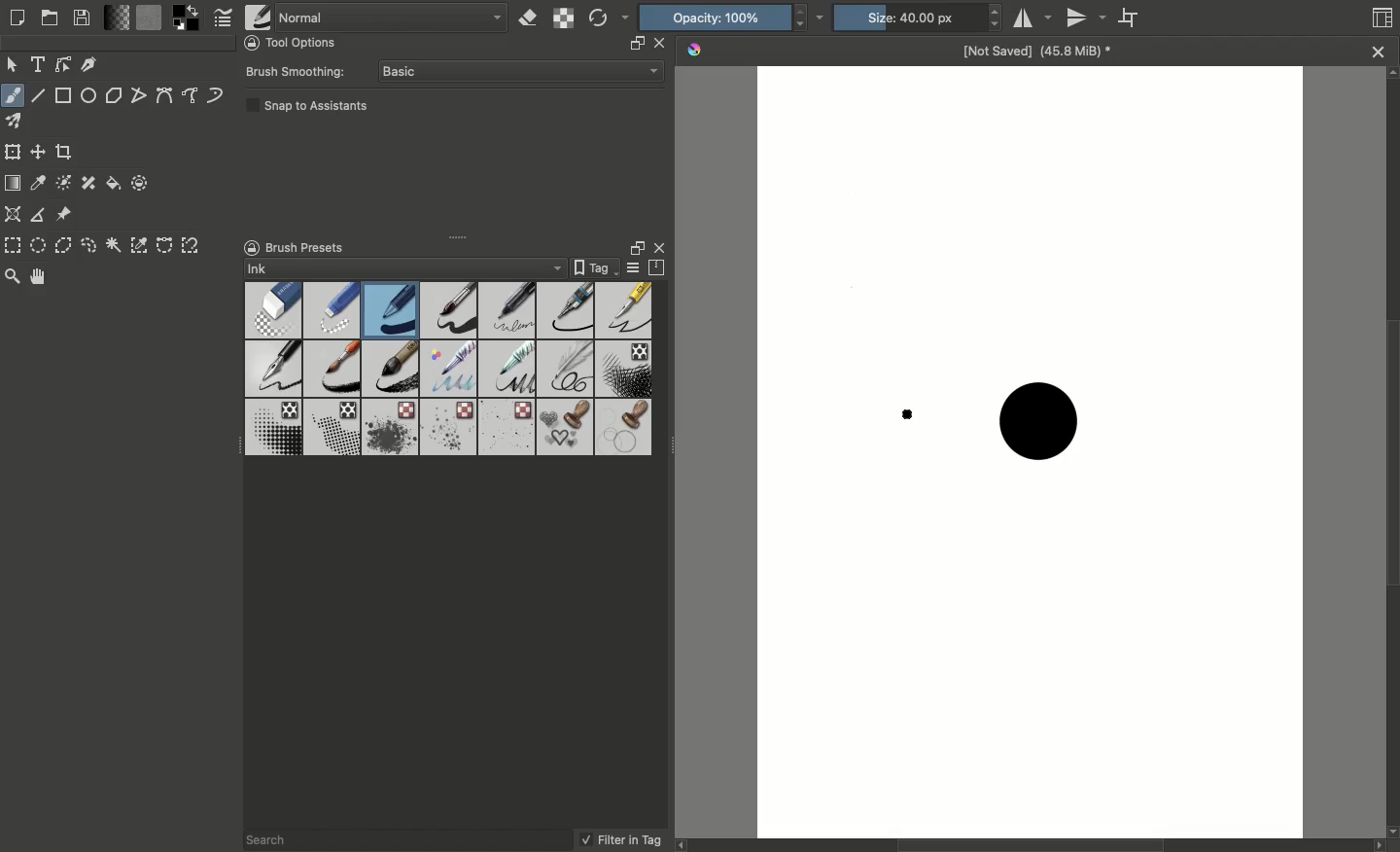  Describe the element at coordinates (91, 183) in the screenshot. I see `Smart patch` at that location.